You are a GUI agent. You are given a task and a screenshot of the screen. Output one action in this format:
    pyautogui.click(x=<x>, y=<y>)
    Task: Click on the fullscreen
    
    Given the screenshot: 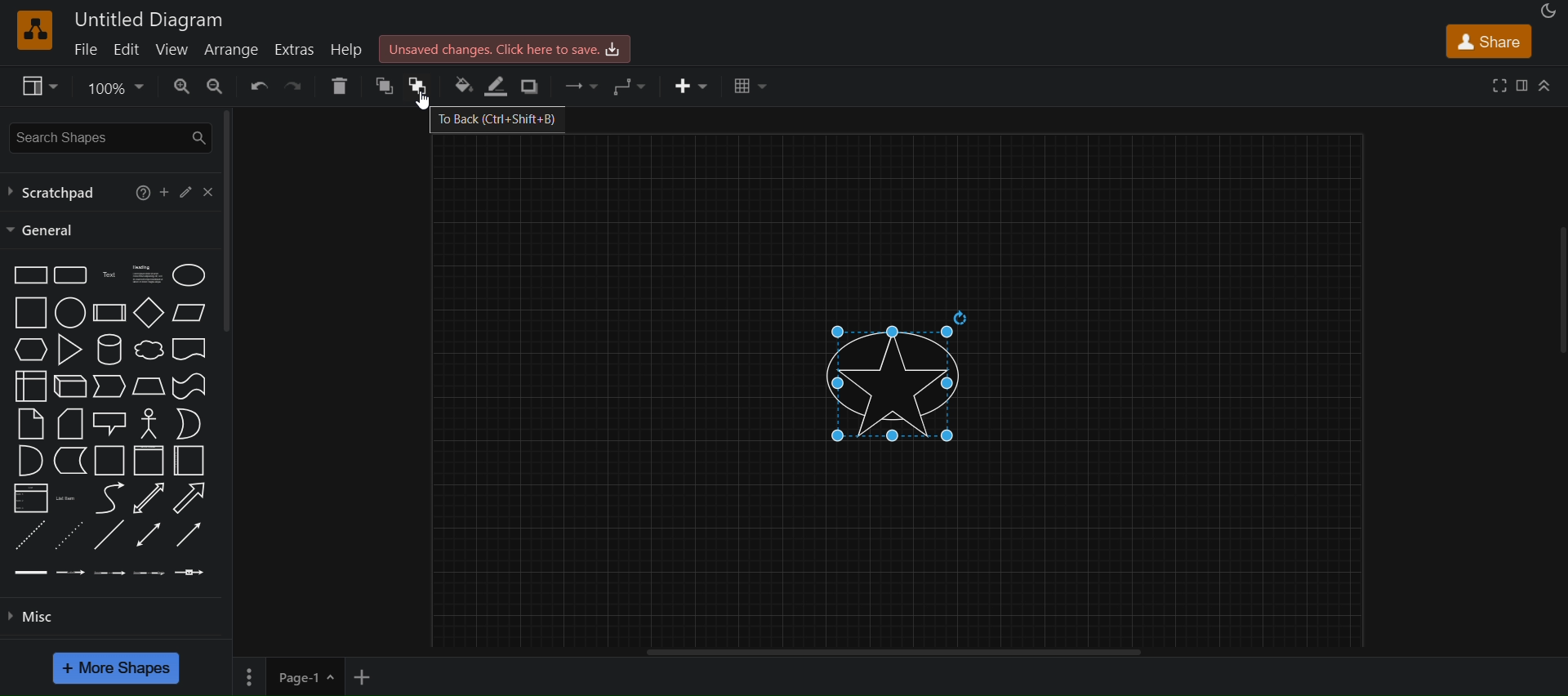 What is the action you would take?
    pyautogui.click(x=1500, y=86)
    